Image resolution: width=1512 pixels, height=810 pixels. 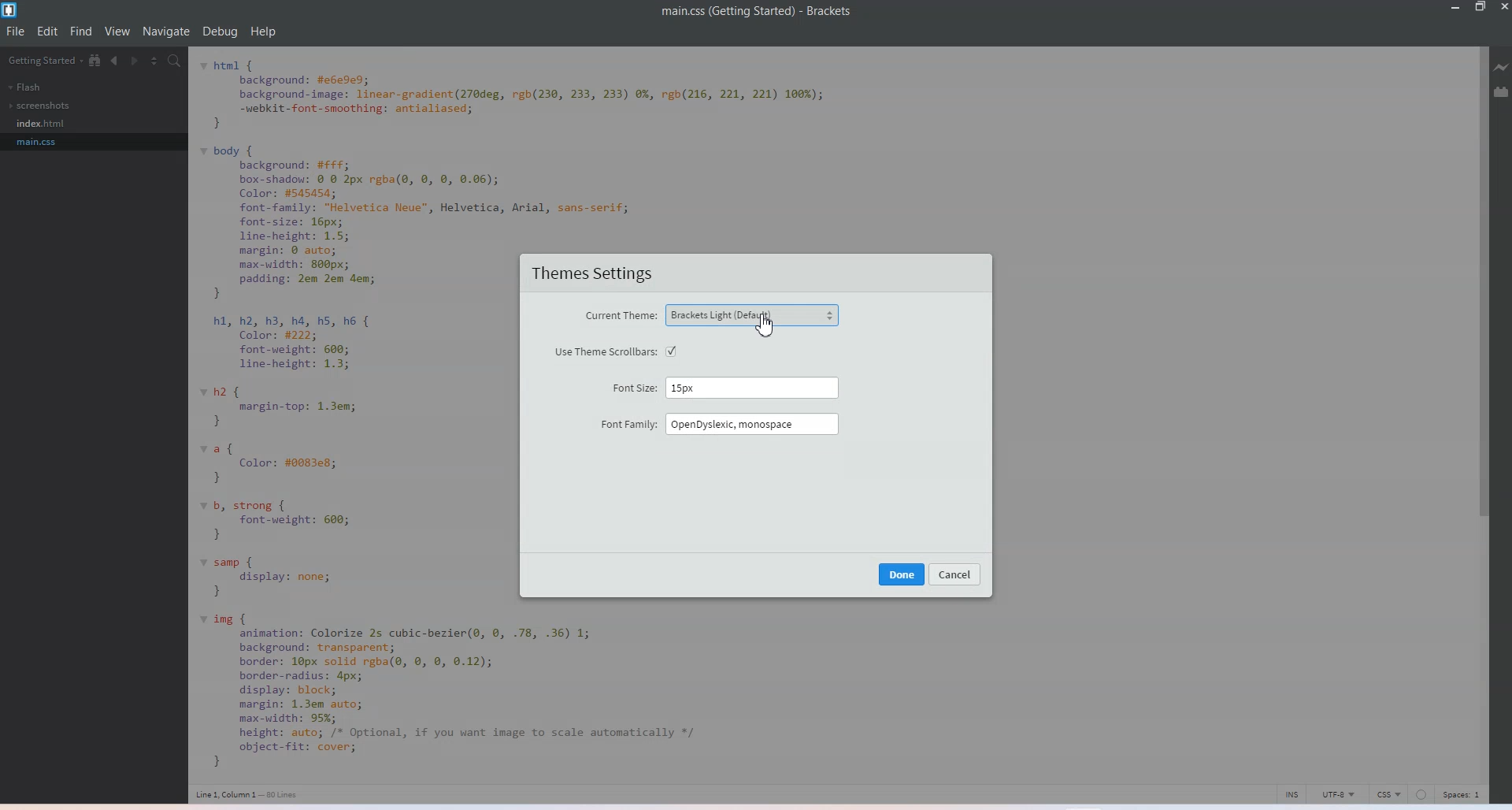 I want to click on UTF-8, so click(x=1340, y=794).